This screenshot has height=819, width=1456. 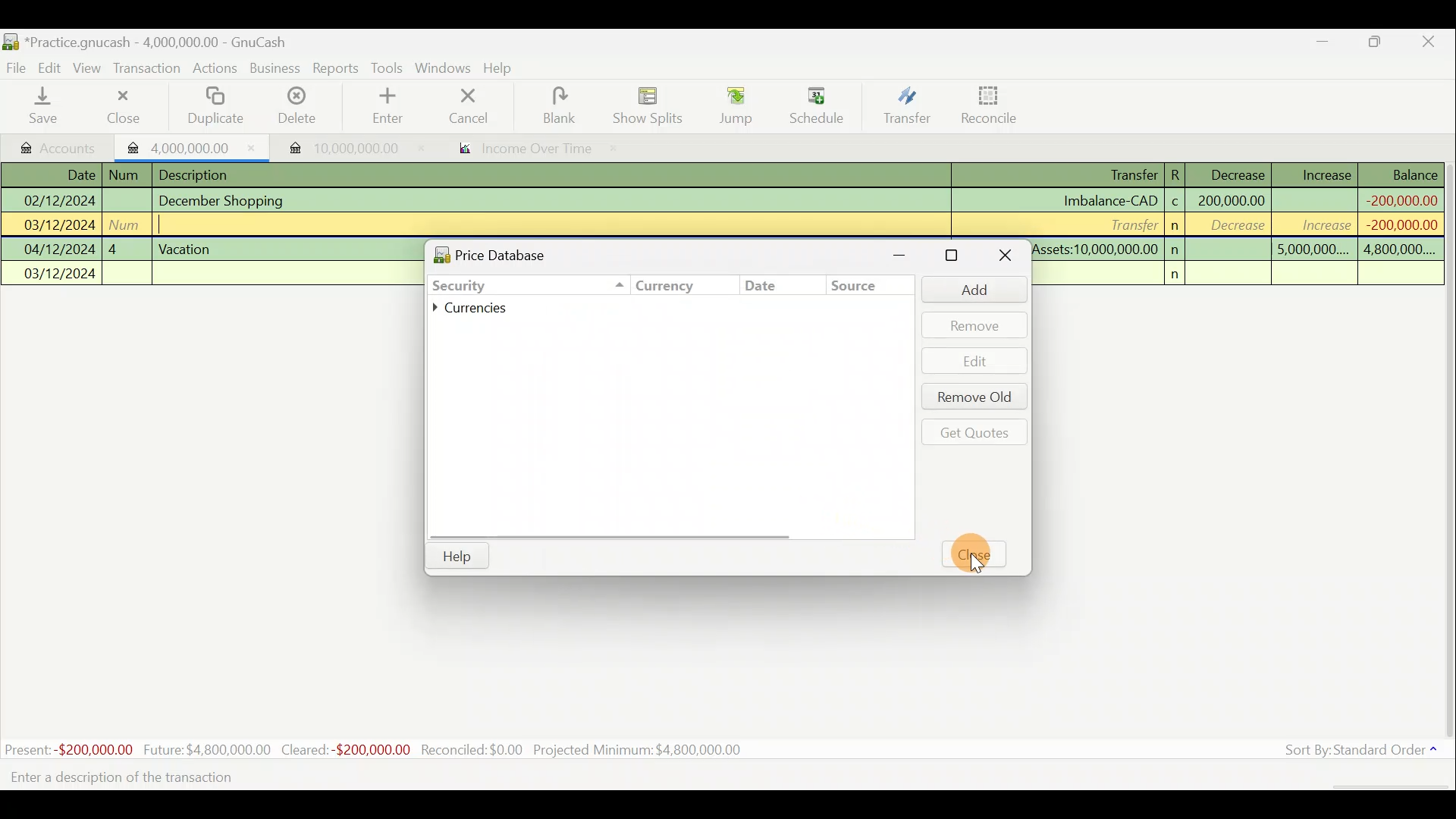 What do you see at coordinates (1398, 250) in the screenshot?
I see `4,800,000` at bounding box center [1398, 250].